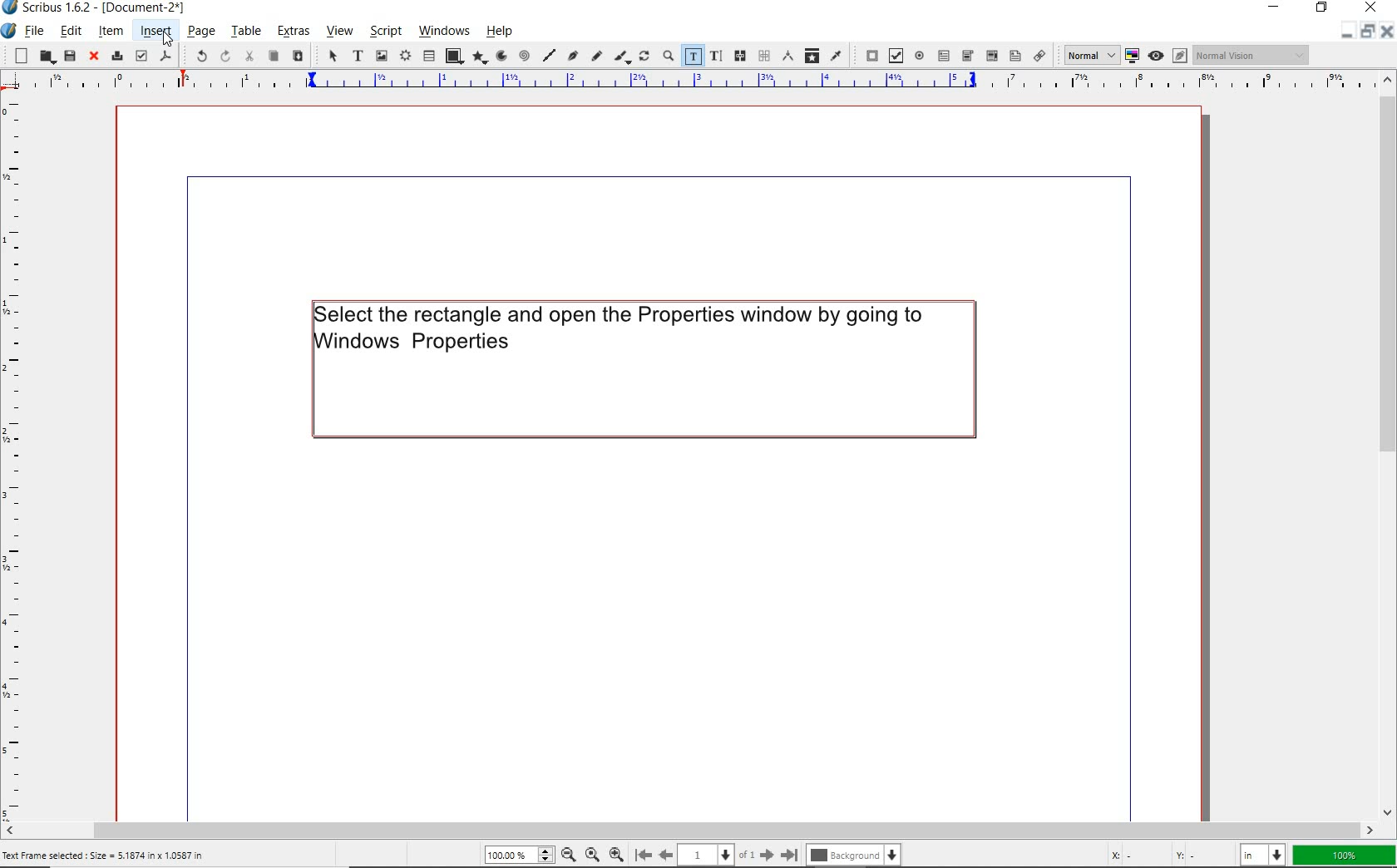 This screenshot has height=868, width=1397. What do you see at coordinates (72, 31) in the screenshot?
I see `edit` at bounding box center [72, 31].